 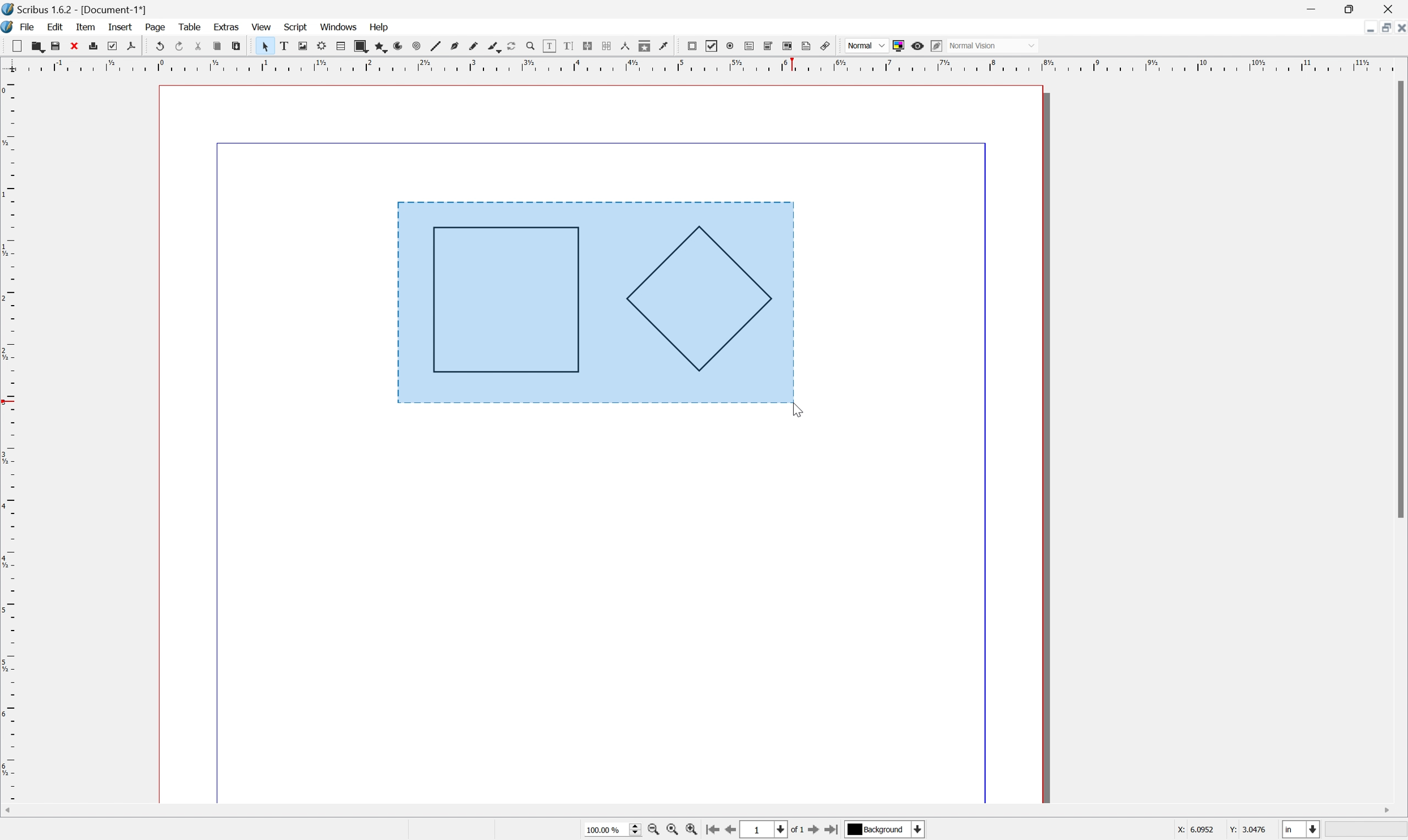 What do you see at coordinates (510, 46) in the screenshot?
I see `rotate item` at bounding box center [510, 46].